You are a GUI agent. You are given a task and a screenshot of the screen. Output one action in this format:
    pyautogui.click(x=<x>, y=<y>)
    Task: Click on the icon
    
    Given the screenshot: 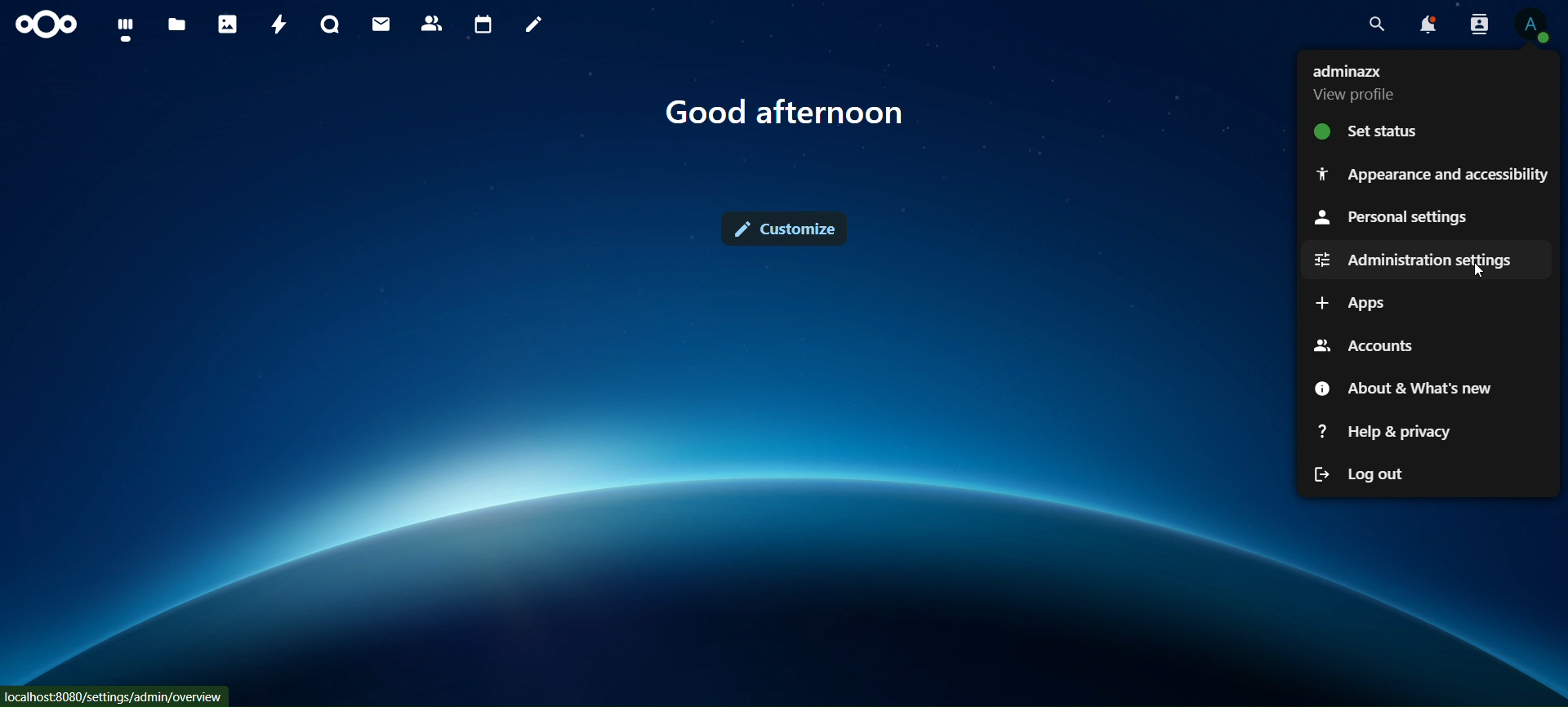 What is the action you would take?
    pyautogui.click(x=48, y=24)
    